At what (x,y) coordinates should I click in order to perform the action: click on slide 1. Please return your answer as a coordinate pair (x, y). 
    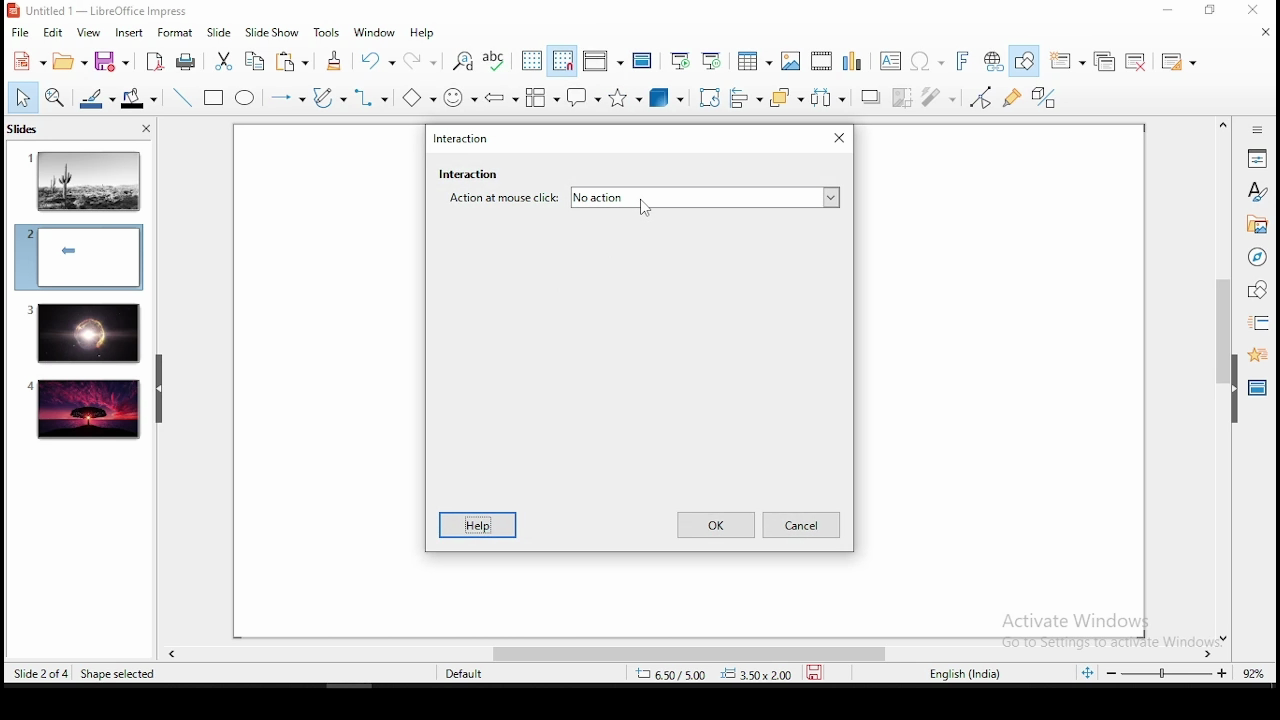
    Looking at the image, I should click on (85, 180).